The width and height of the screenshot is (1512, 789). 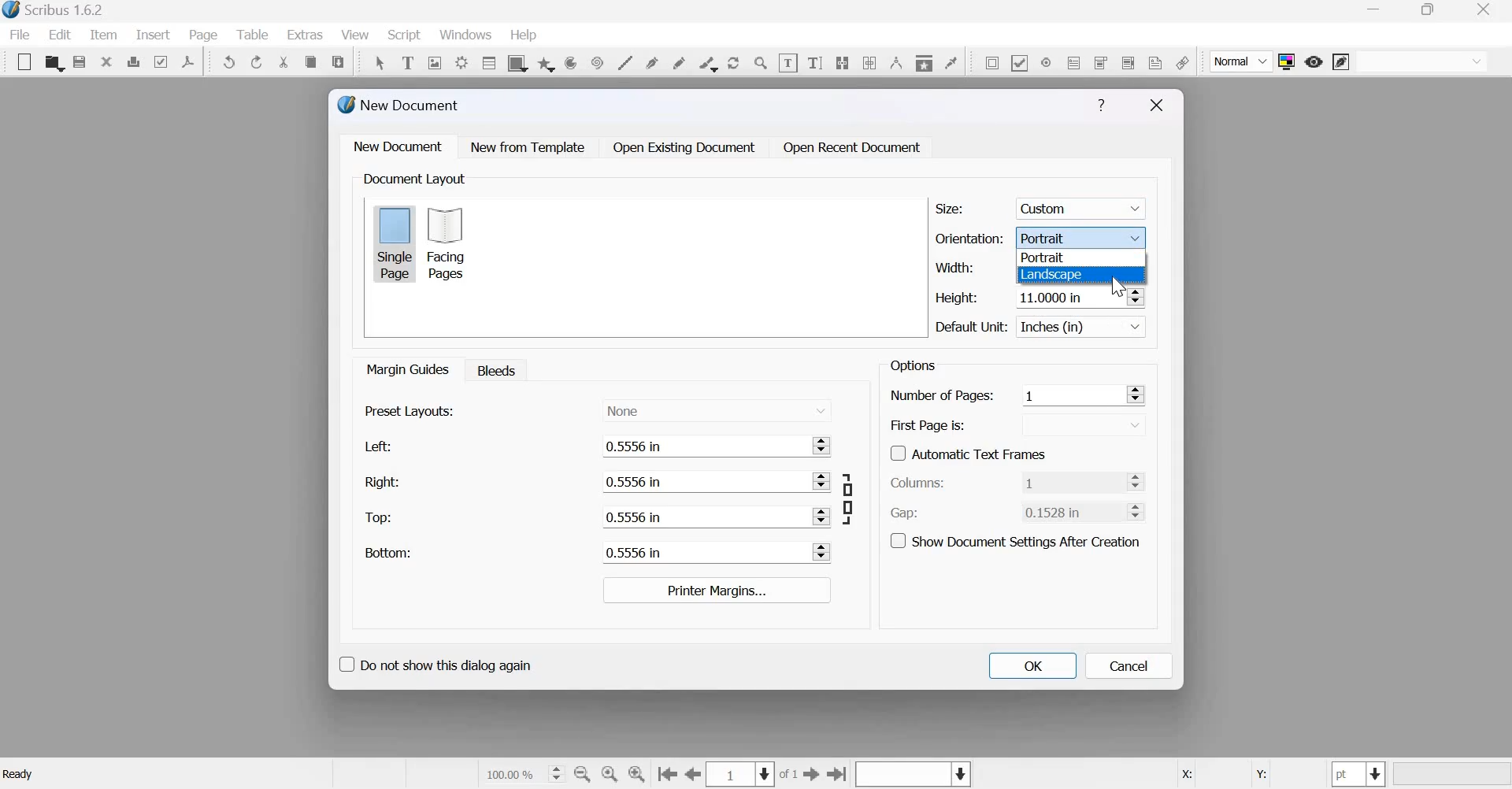 What do you see at coordinates (895, 62) in the screenshot?
I see `Measurements` at bounding box center [895, 62].